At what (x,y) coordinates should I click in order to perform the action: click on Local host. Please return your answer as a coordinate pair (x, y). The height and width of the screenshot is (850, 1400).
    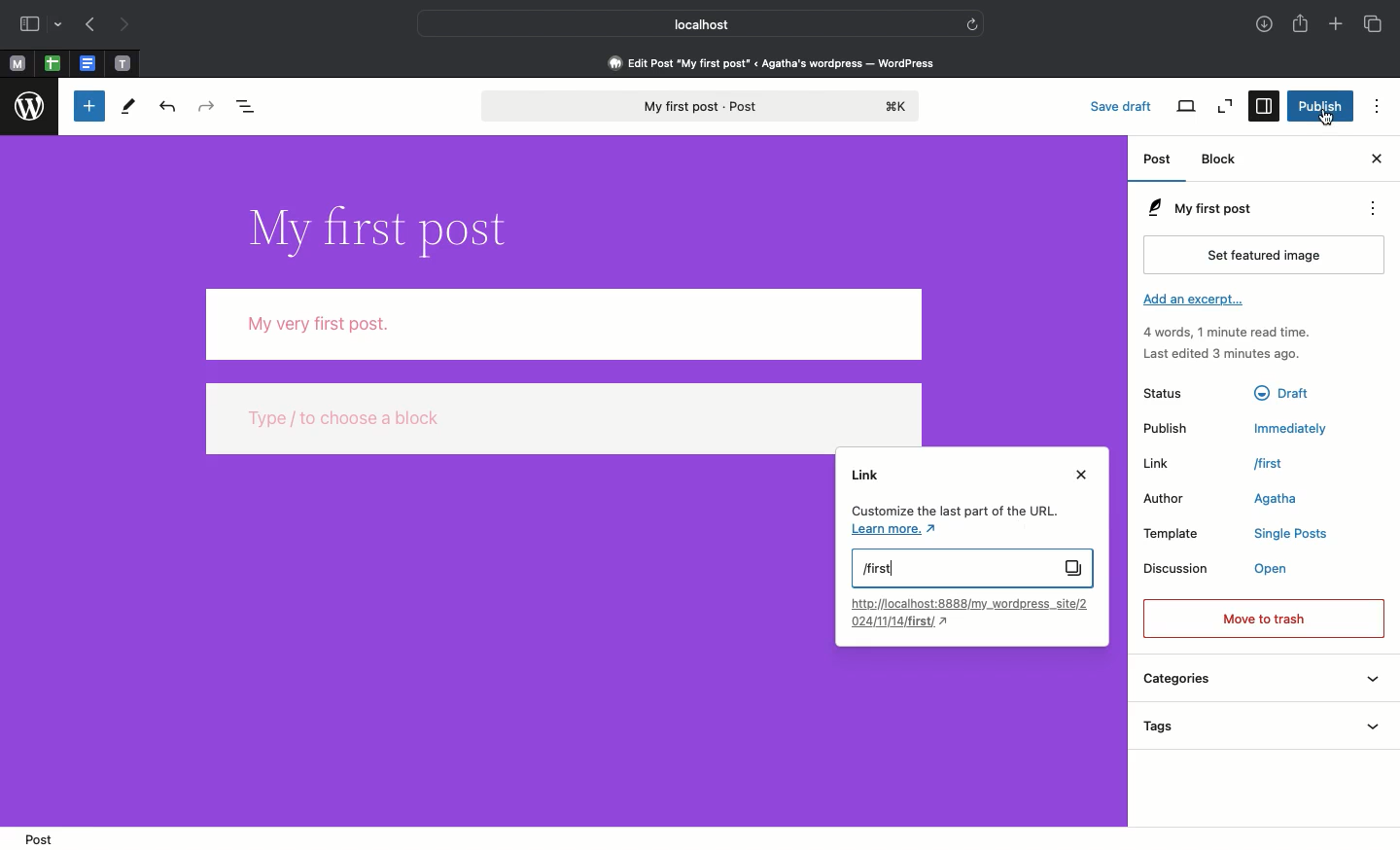
    Looking at the image, I should click on (686, 21).